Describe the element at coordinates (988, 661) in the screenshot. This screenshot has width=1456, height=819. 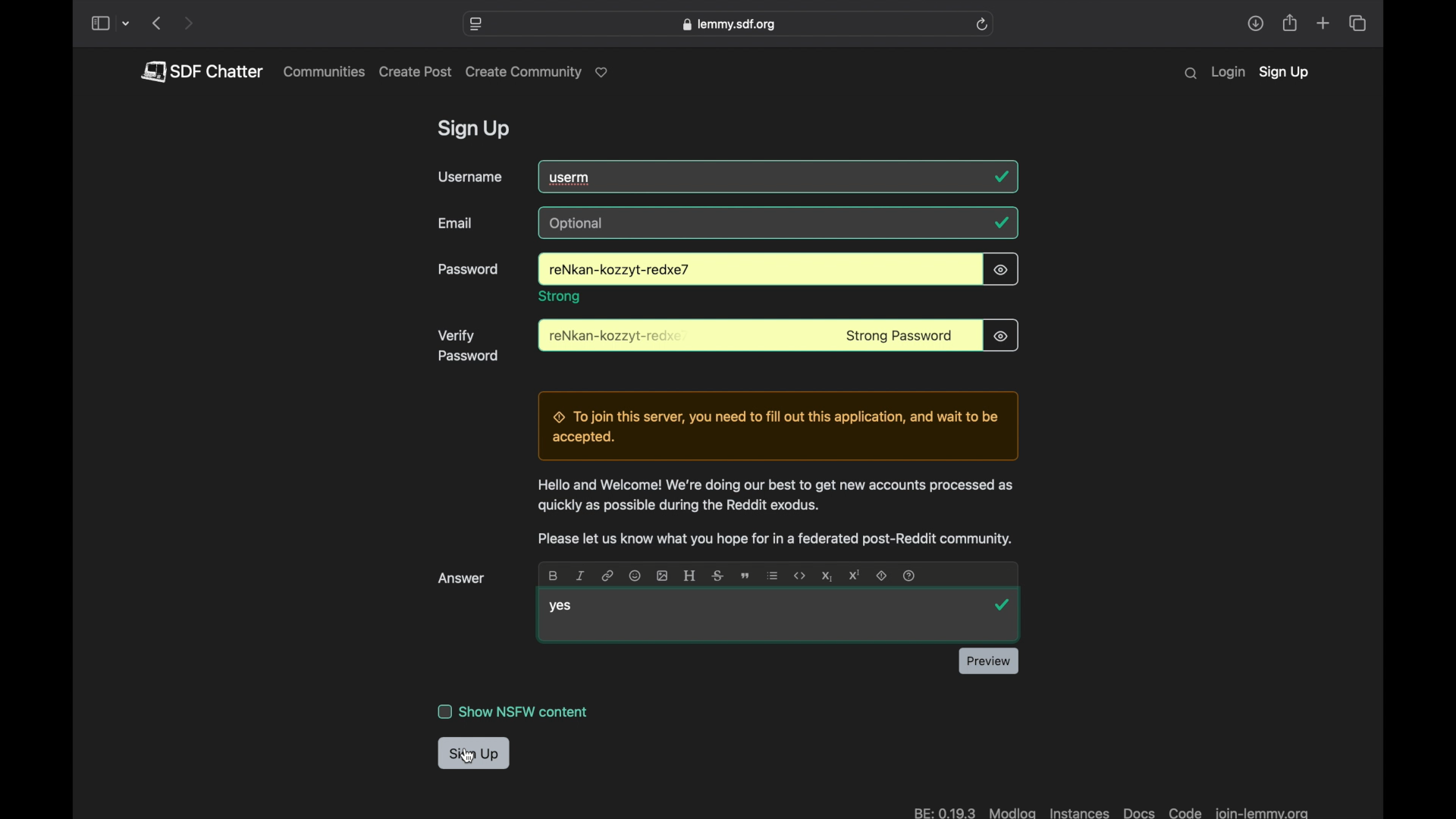
I see `review` at that location.